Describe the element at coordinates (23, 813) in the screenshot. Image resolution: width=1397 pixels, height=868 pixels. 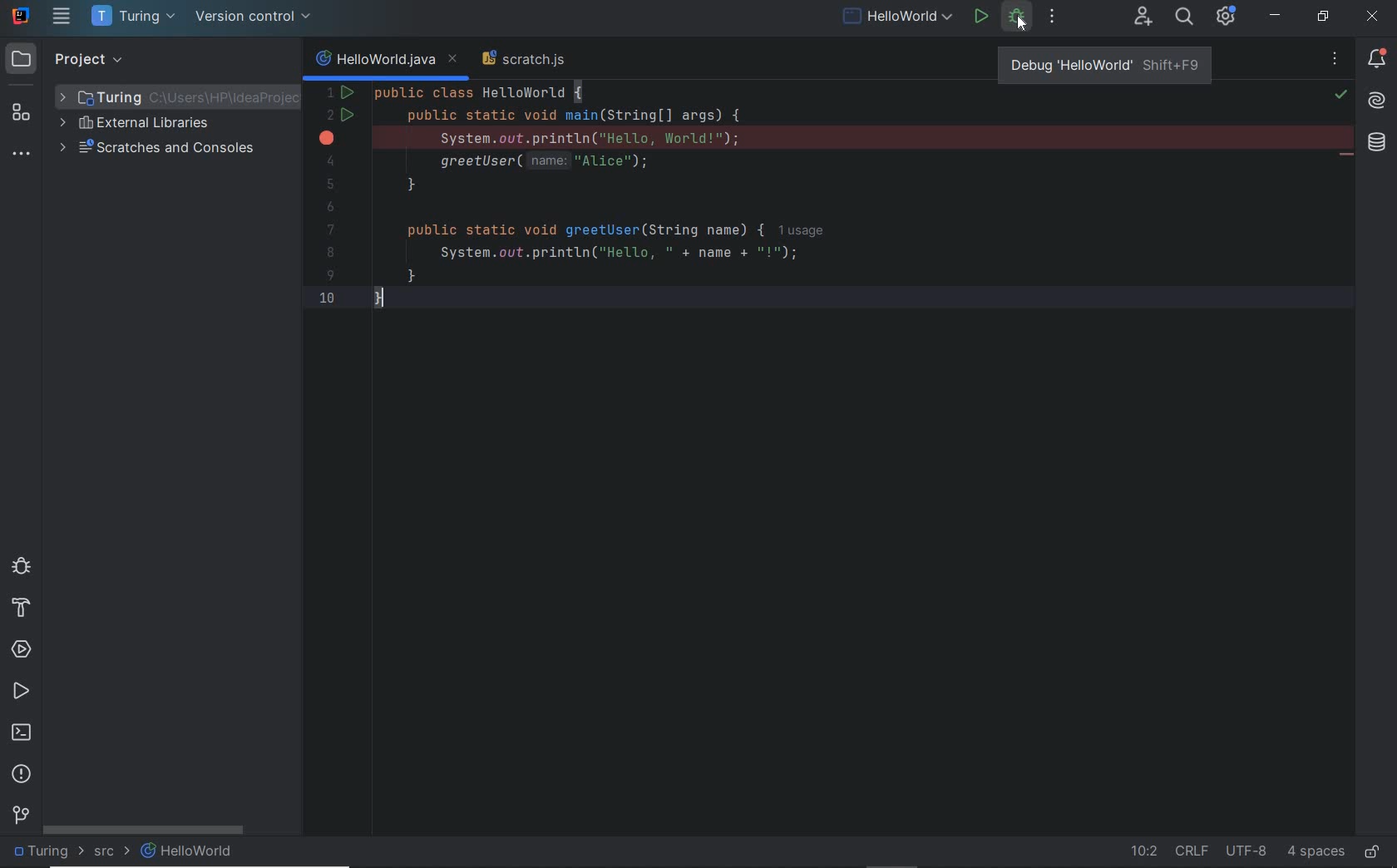
I see `Git` at that location.